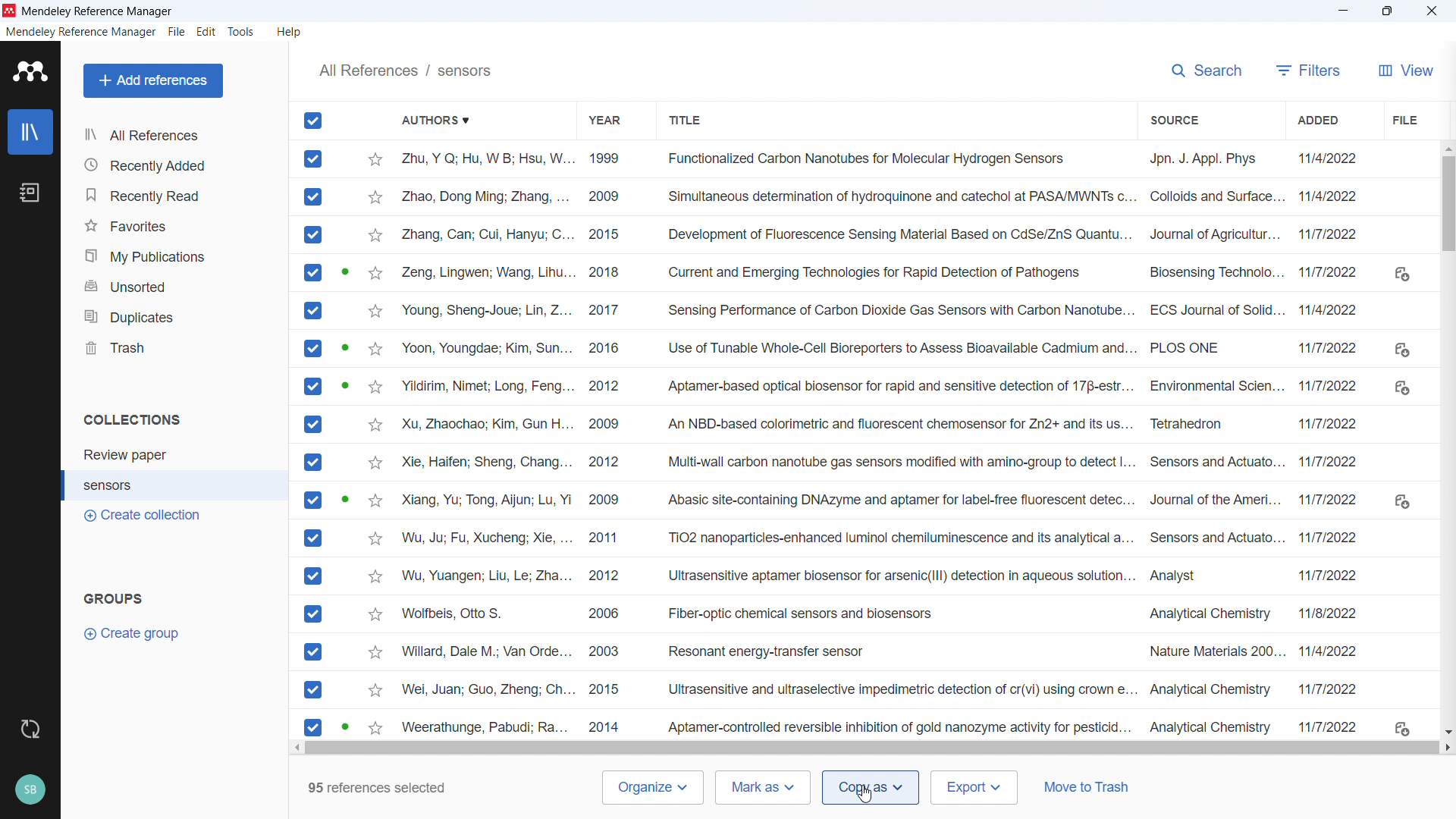  What do you see at coordinates (290, 33) in the screenshot?
I see `help` at bounding box center [290, 33].